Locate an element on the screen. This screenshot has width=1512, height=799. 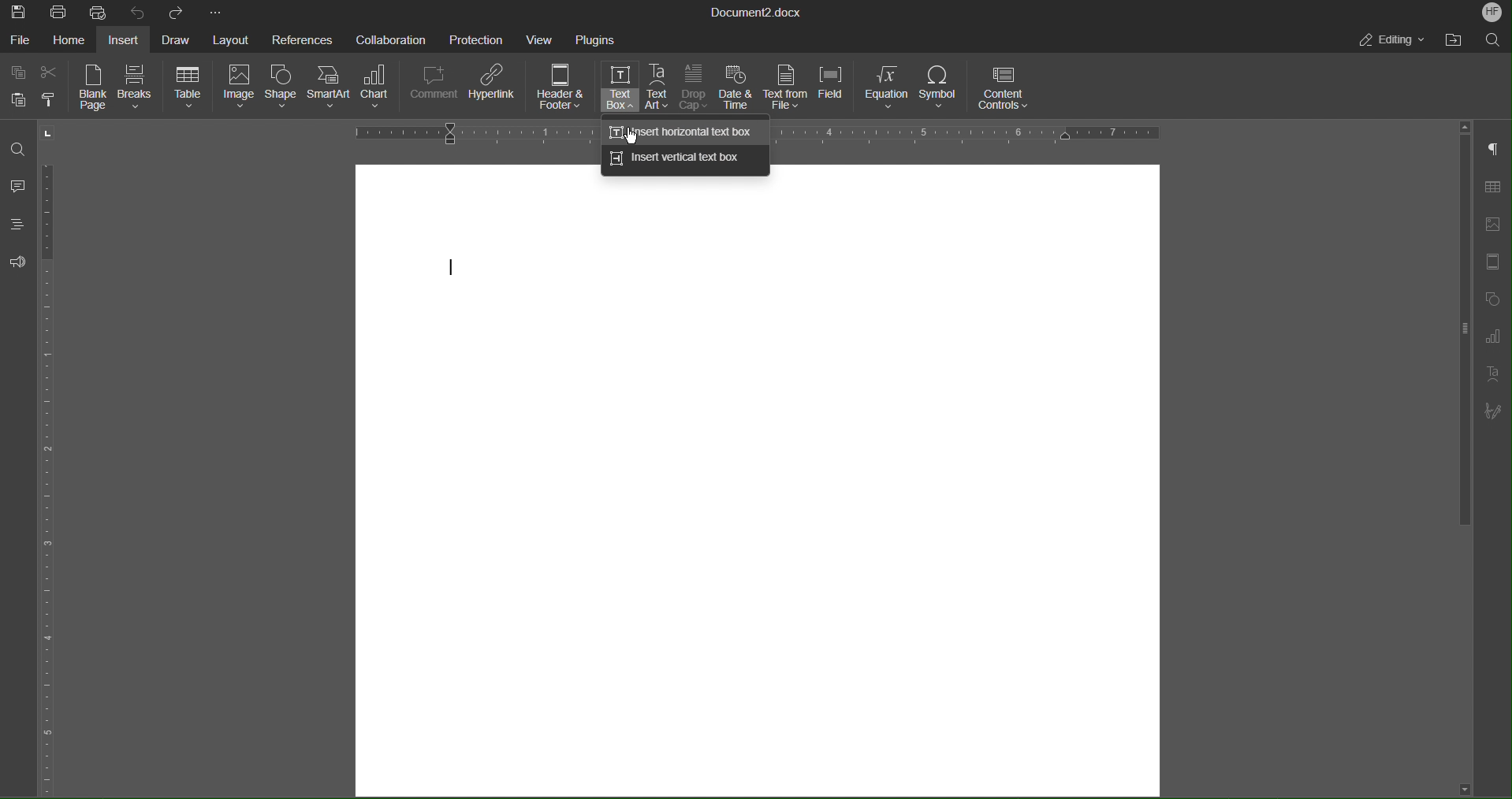
Print is located at coordinates (60, 11).